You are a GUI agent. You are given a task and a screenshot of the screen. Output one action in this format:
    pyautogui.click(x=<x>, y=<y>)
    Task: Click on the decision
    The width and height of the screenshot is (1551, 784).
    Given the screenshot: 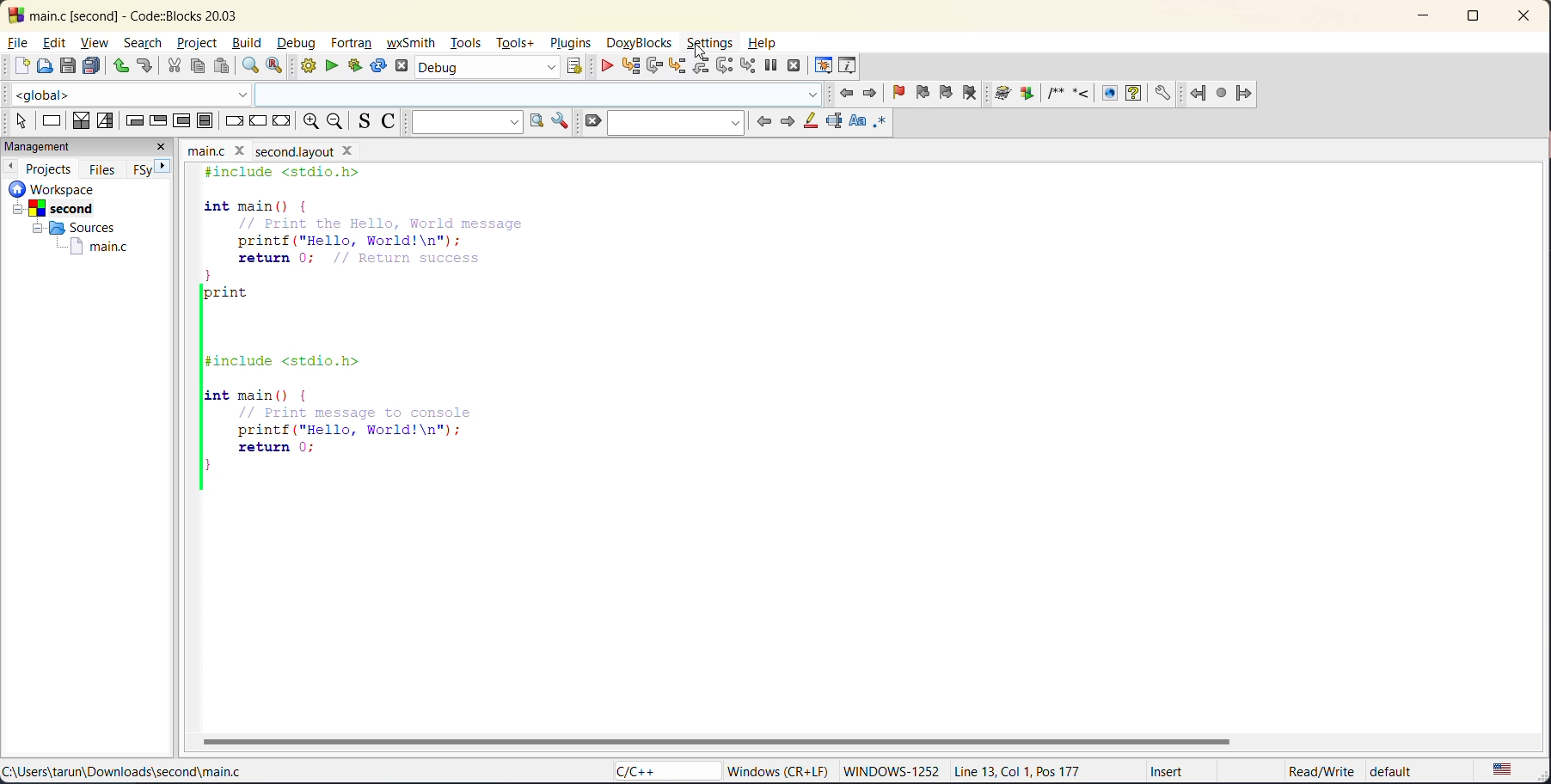 What is the action you would take?
    pyautogui.click(x=81, y=121)
    